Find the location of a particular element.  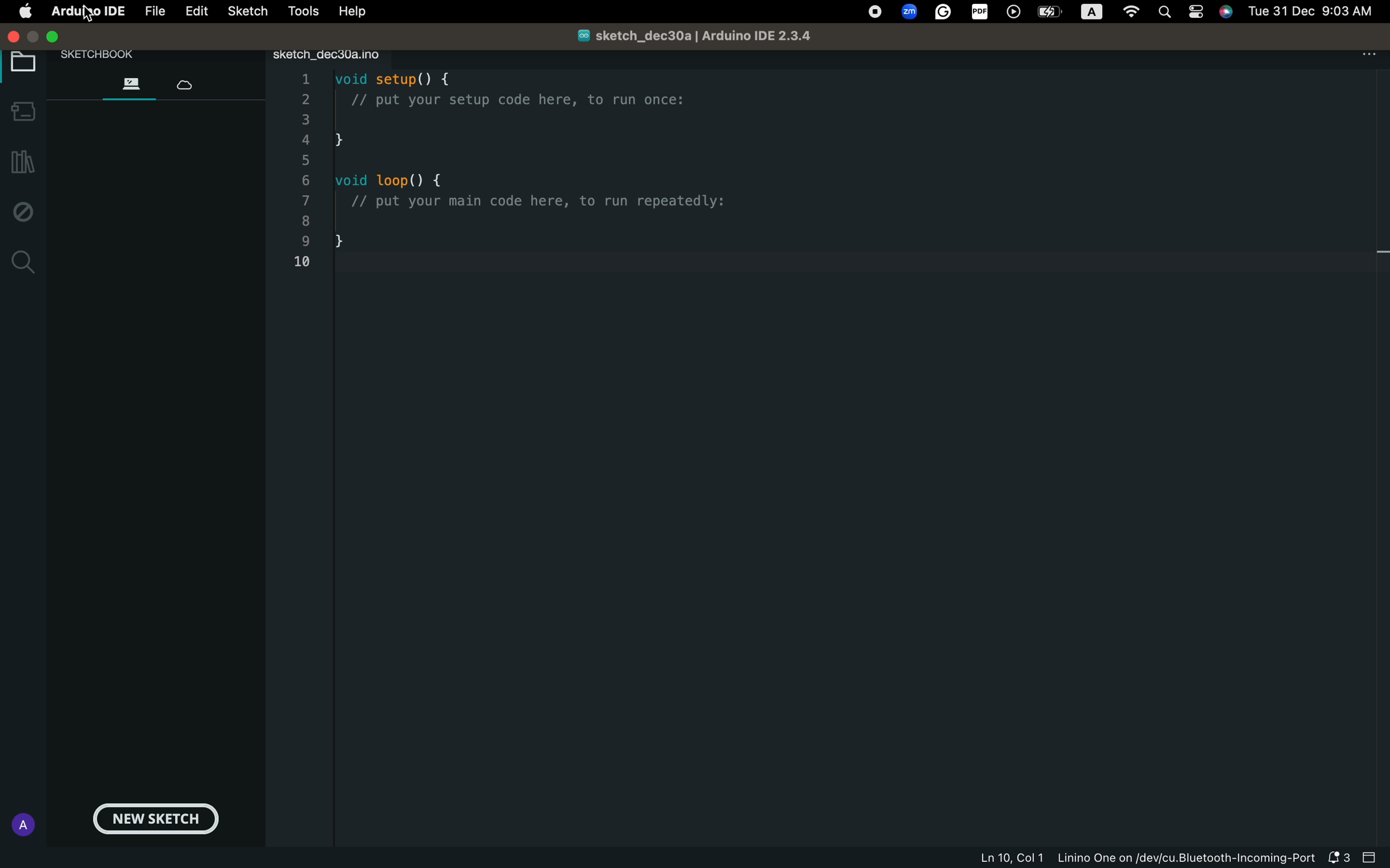

search is located at coordinates (20, 261).